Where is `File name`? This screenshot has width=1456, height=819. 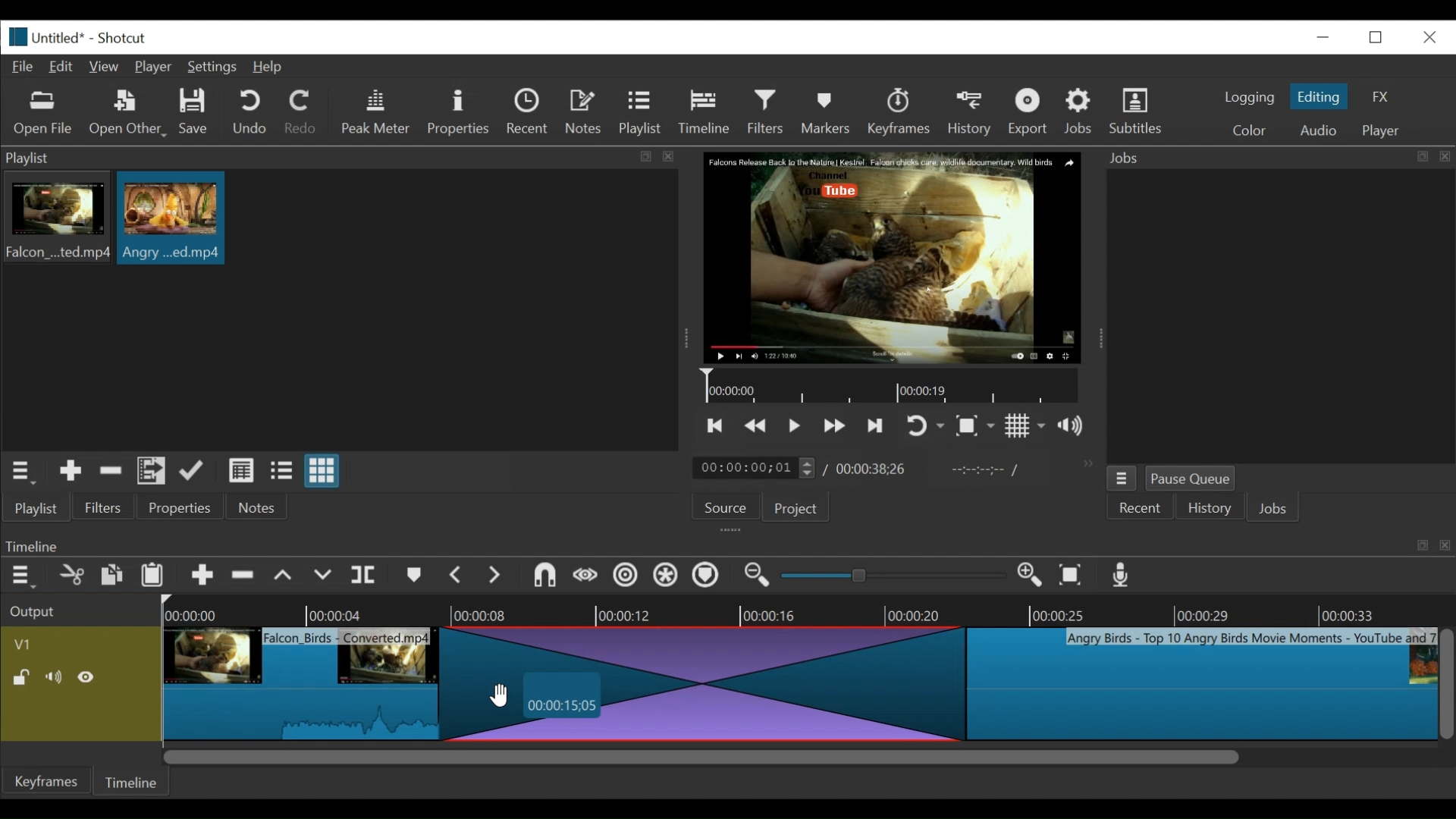
File name is located at coordinates (61, 39).